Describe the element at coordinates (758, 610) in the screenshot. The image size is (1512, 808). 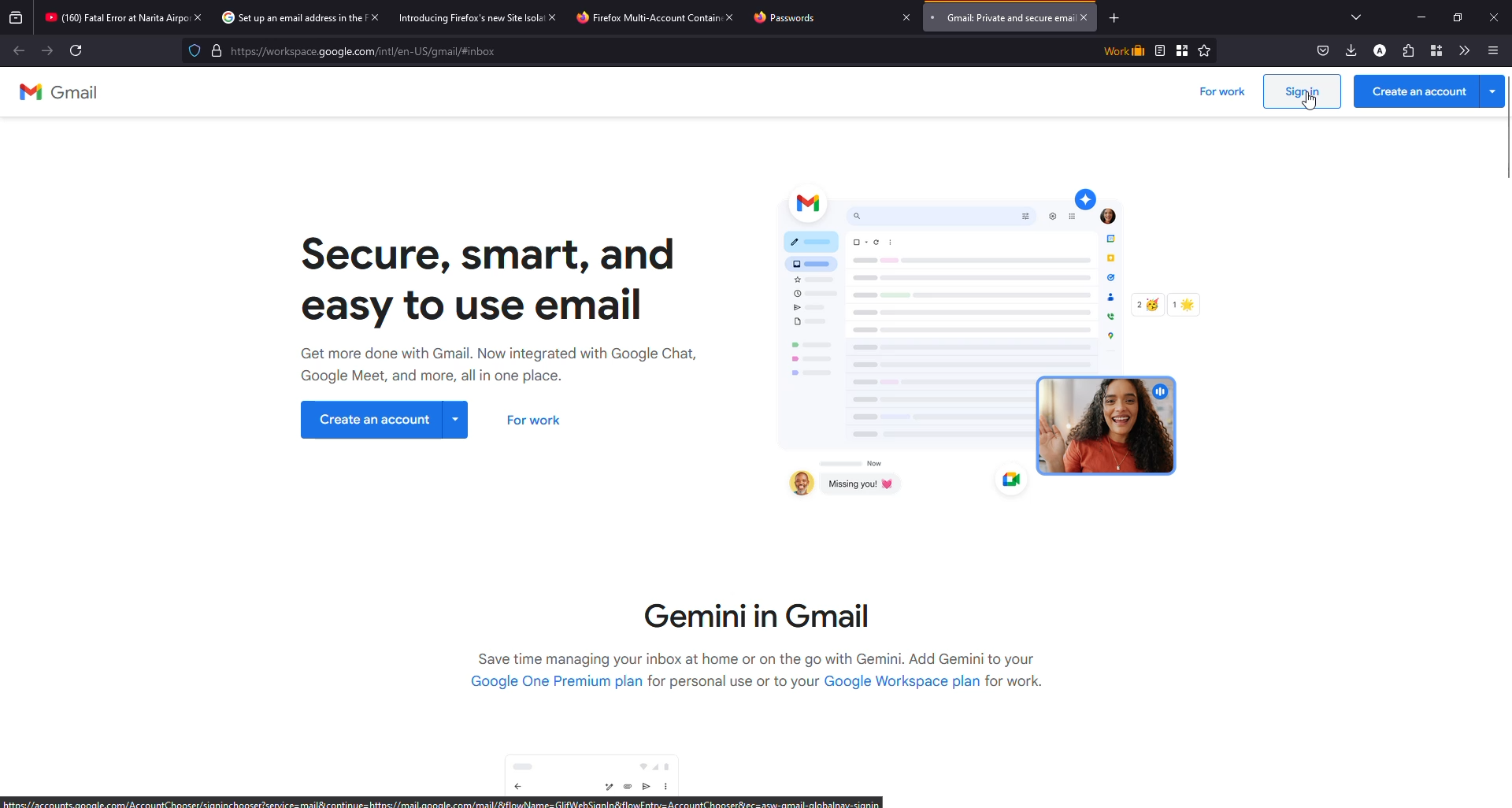
I see `gemini in Gmail` at that location.